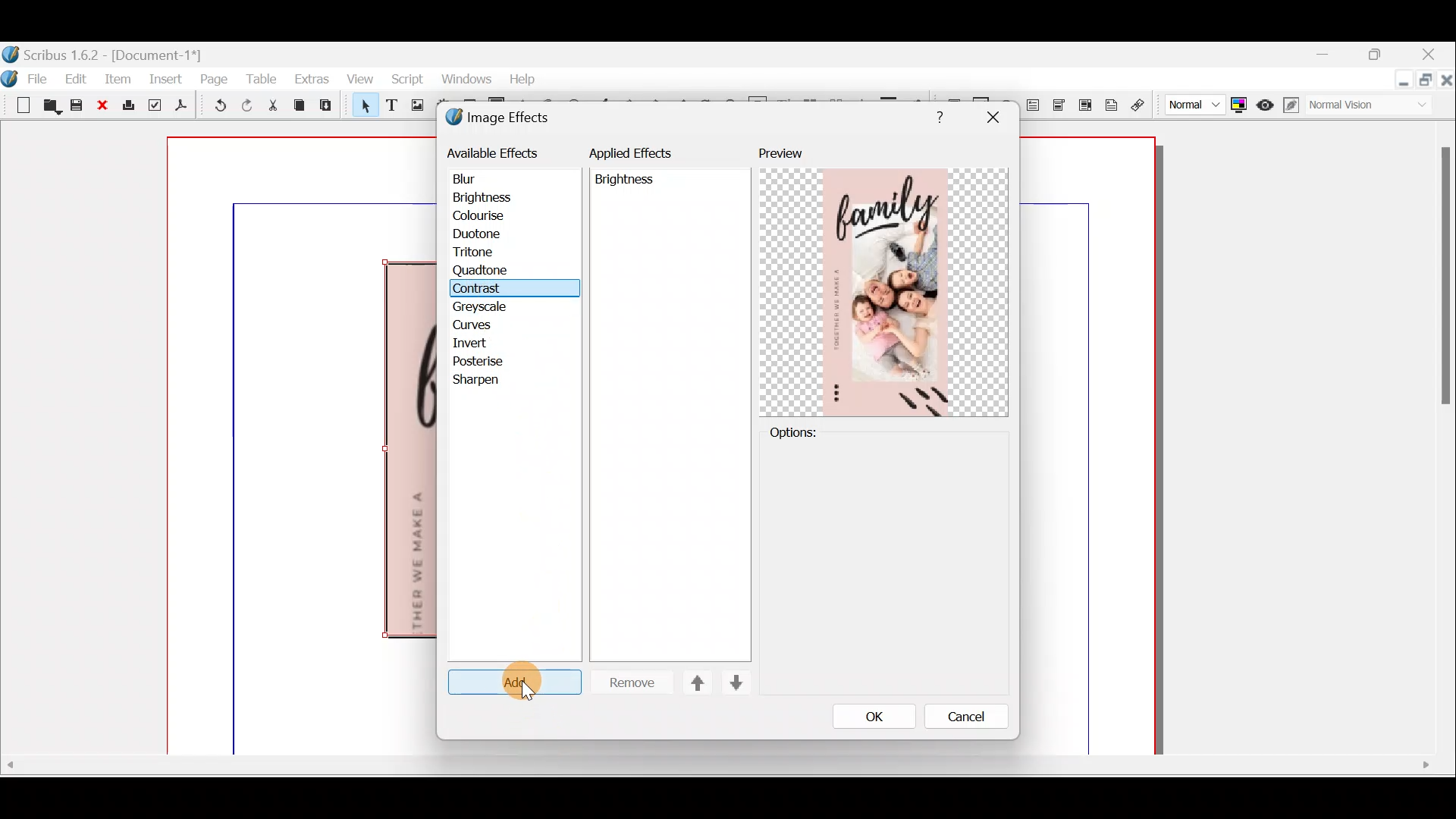 This screenshot has width=1456, height=819. I want to click on Colourise, so click(486, 217).